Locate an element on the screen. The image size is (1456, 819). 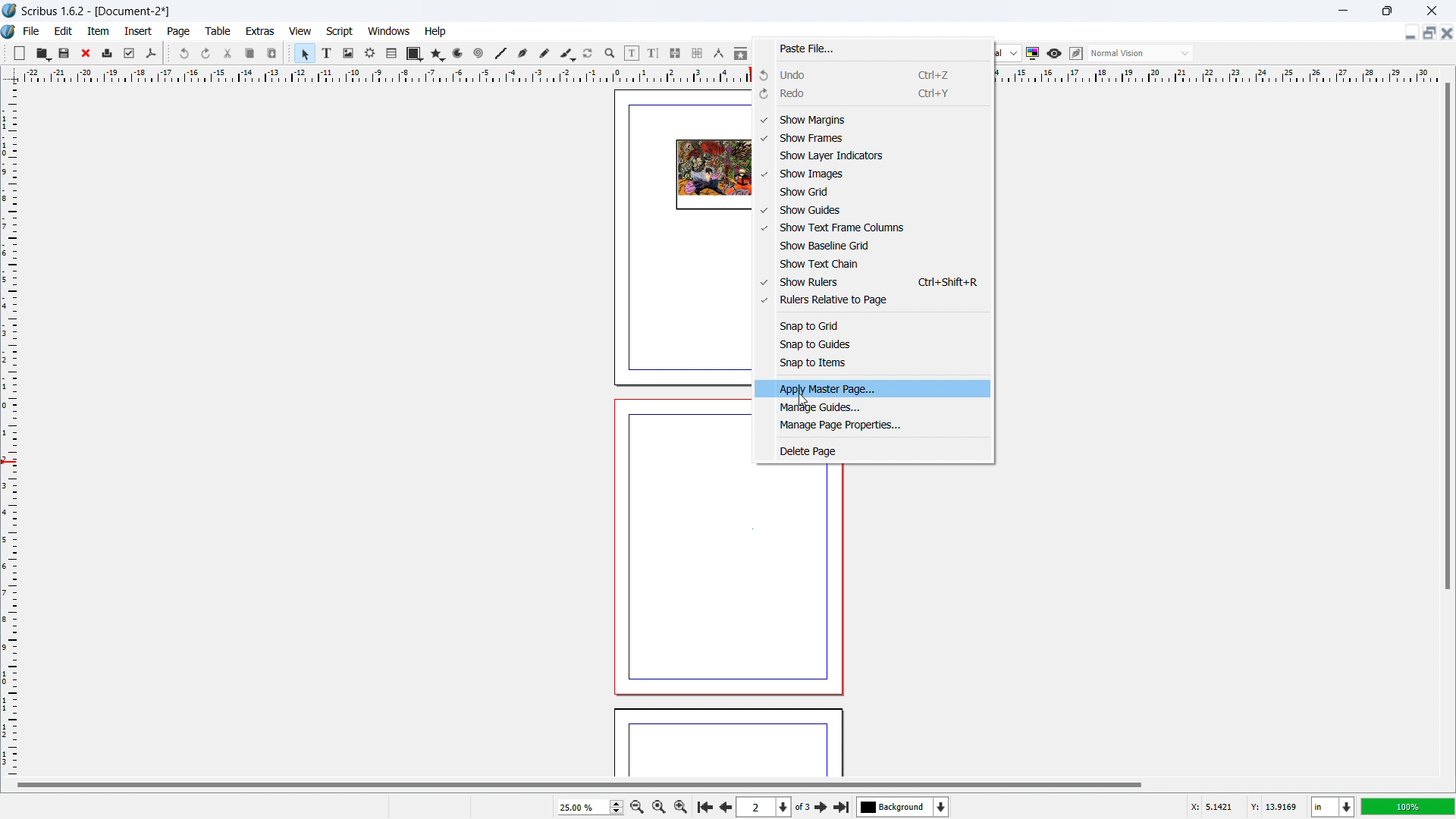
render frame is located at coordinates (370, 53).